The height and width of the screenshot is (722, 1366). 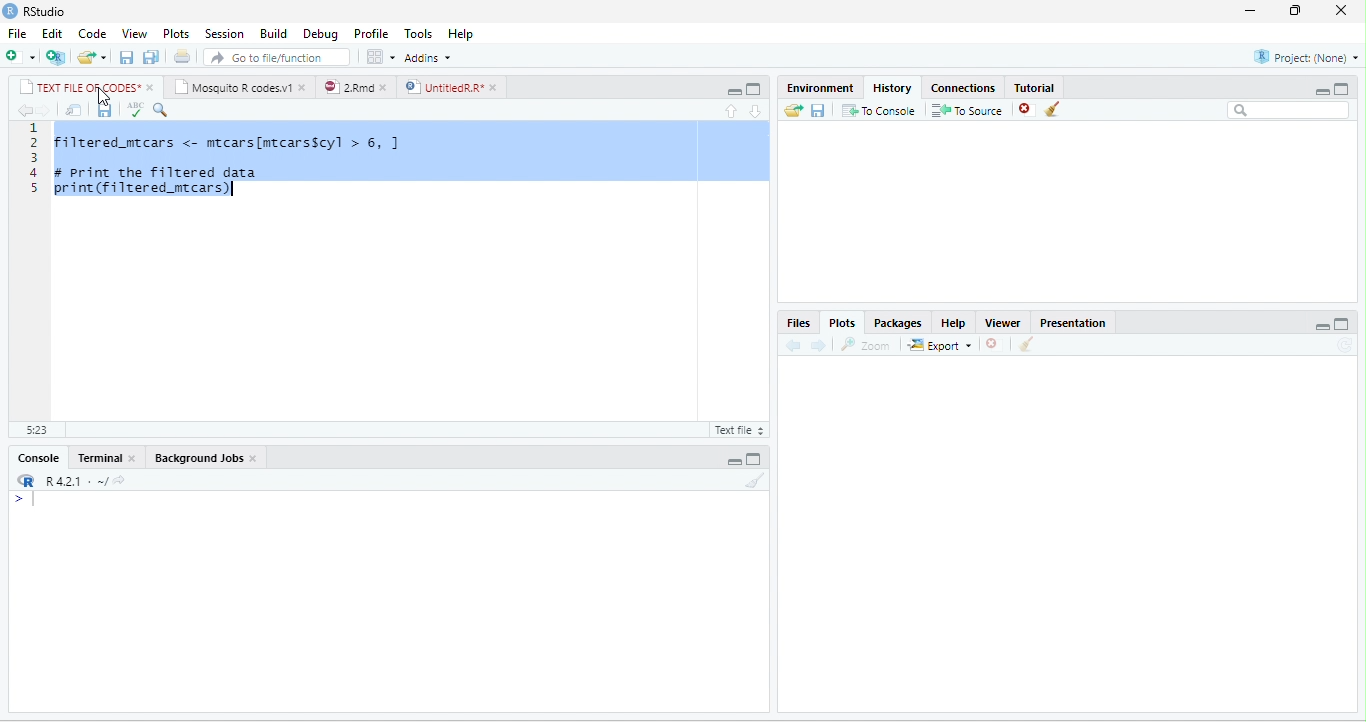 I want to click on line numbering, so click(x=34, y=159).